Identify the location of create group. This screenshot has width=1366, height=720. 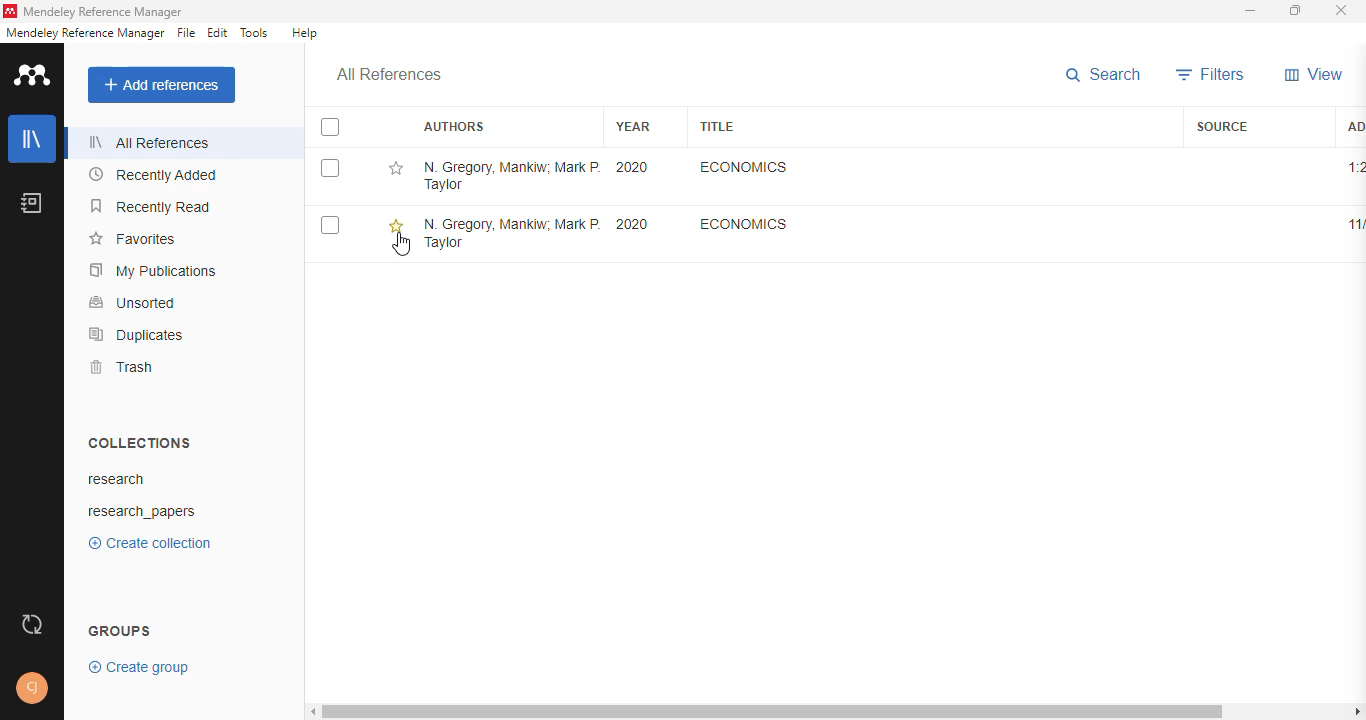
(139, 668).